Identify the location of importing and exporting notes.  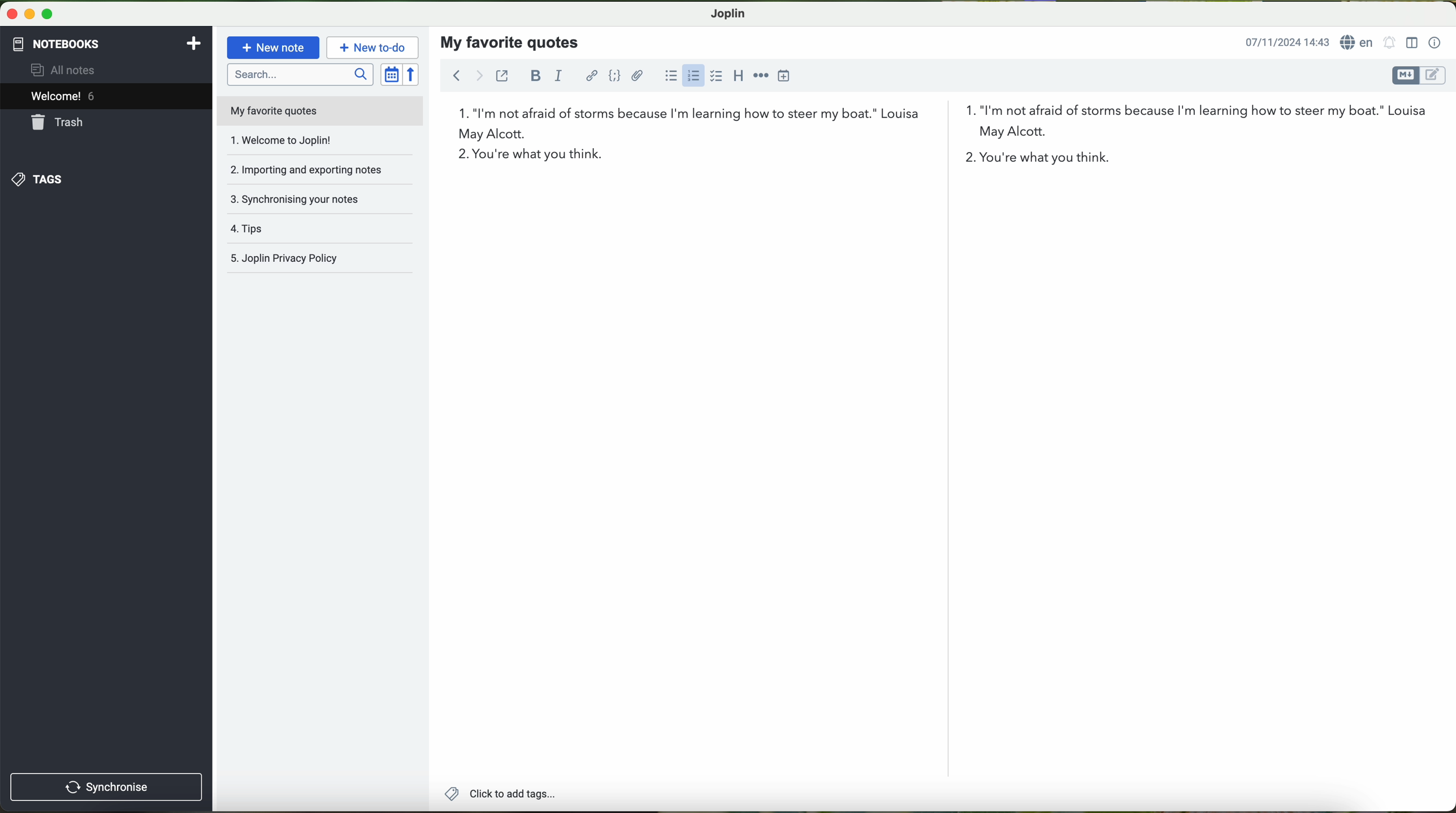
(318, 168).